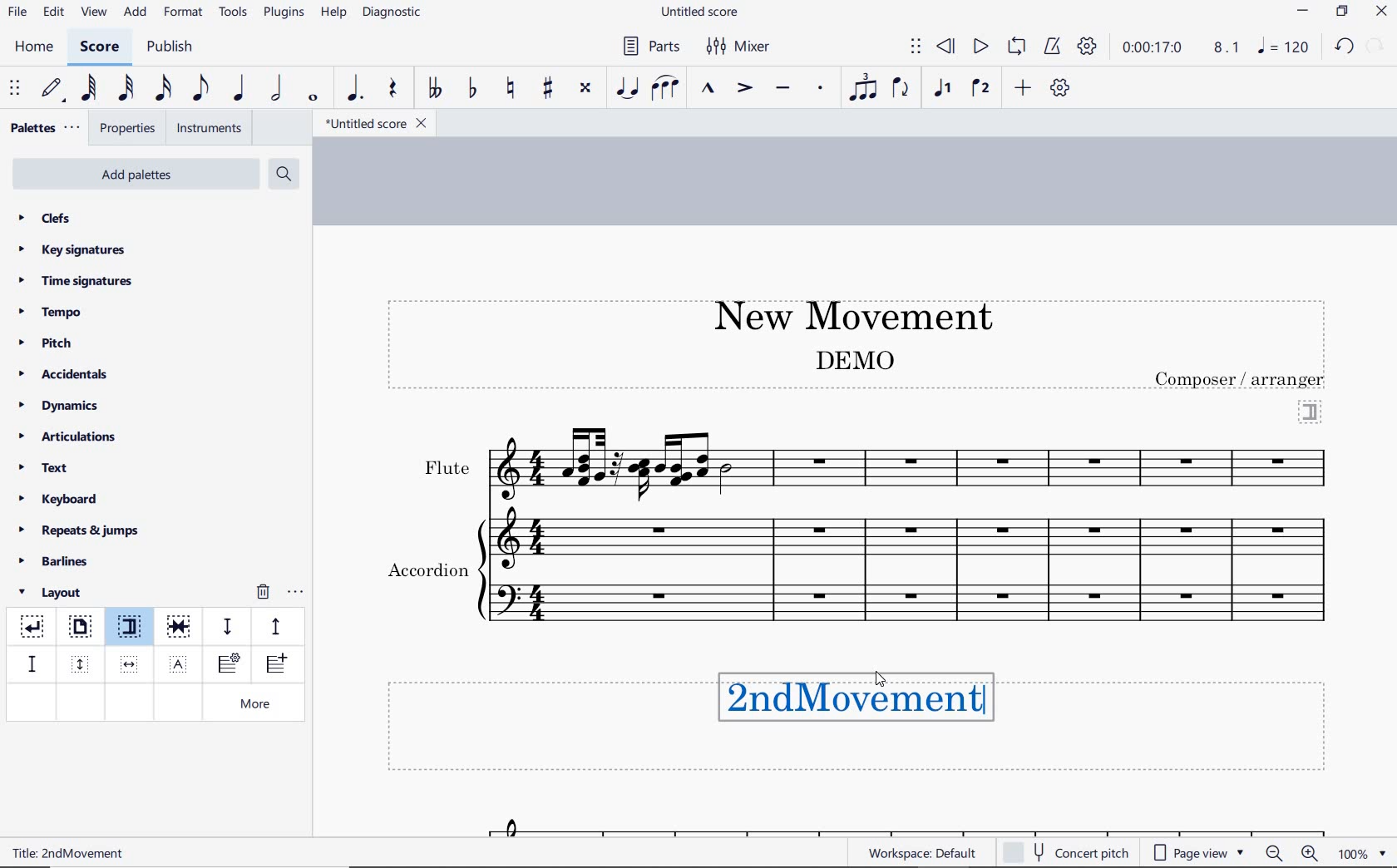  I want to click on title, so click(845, 313).